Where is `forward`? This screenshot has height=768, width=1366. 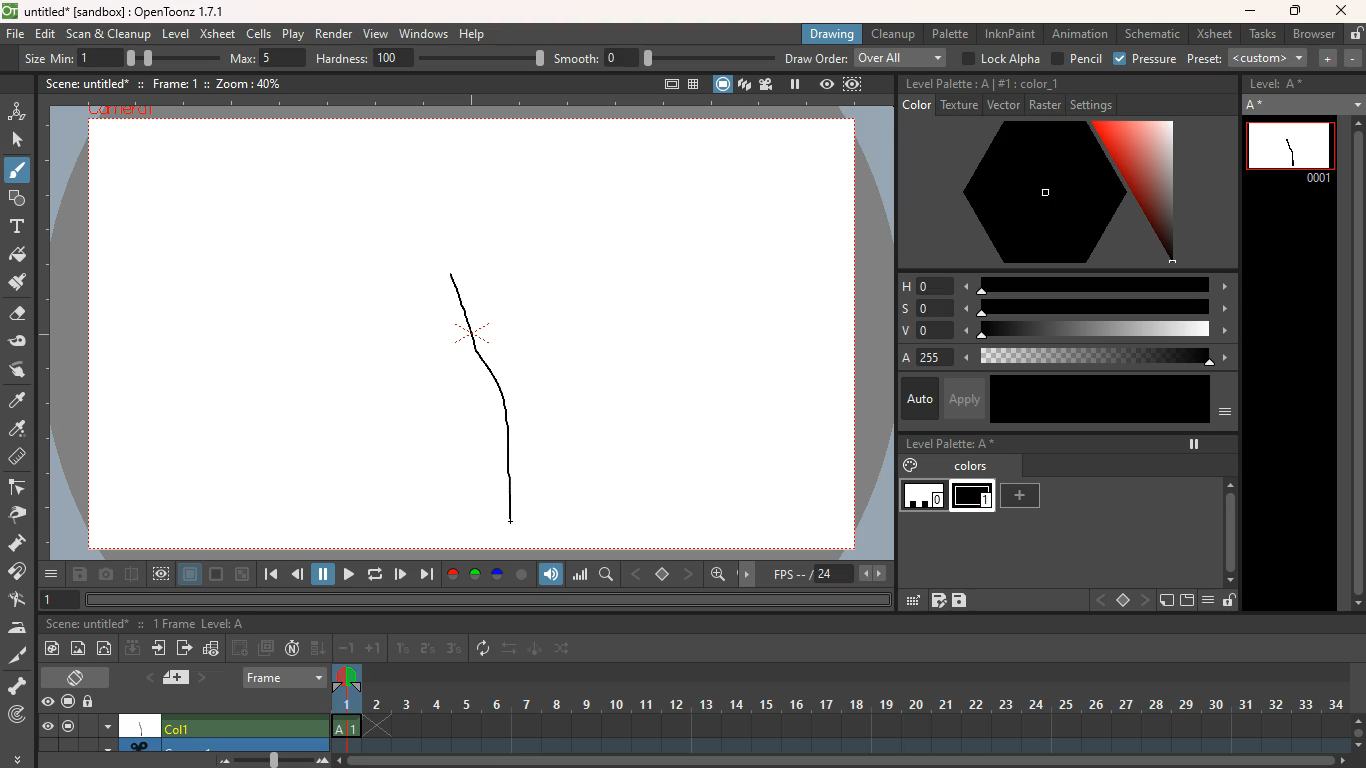 forward is located at coordinates (184, 650).